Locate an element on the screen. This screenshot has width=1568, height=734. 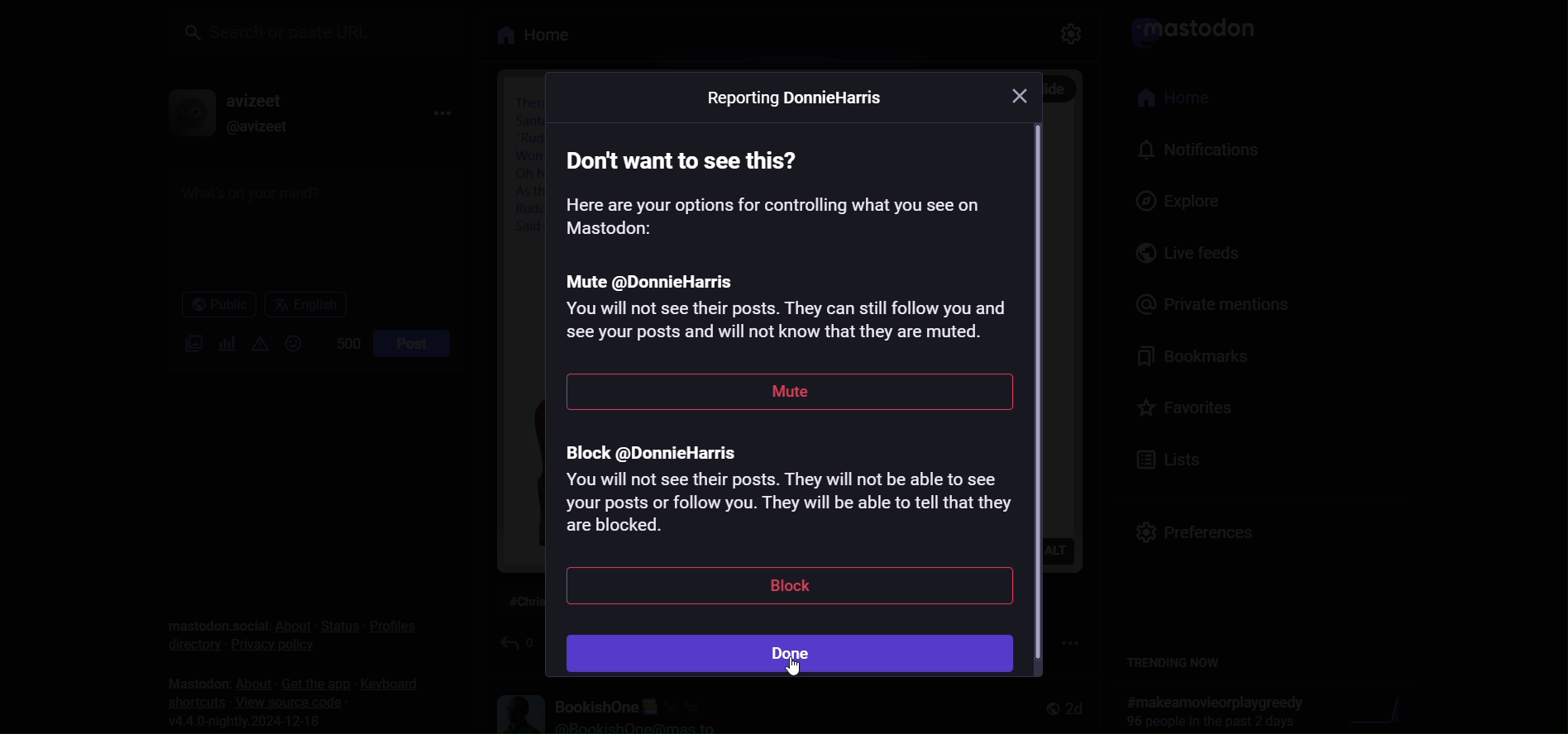
poll is located at coordinates (222, 342).